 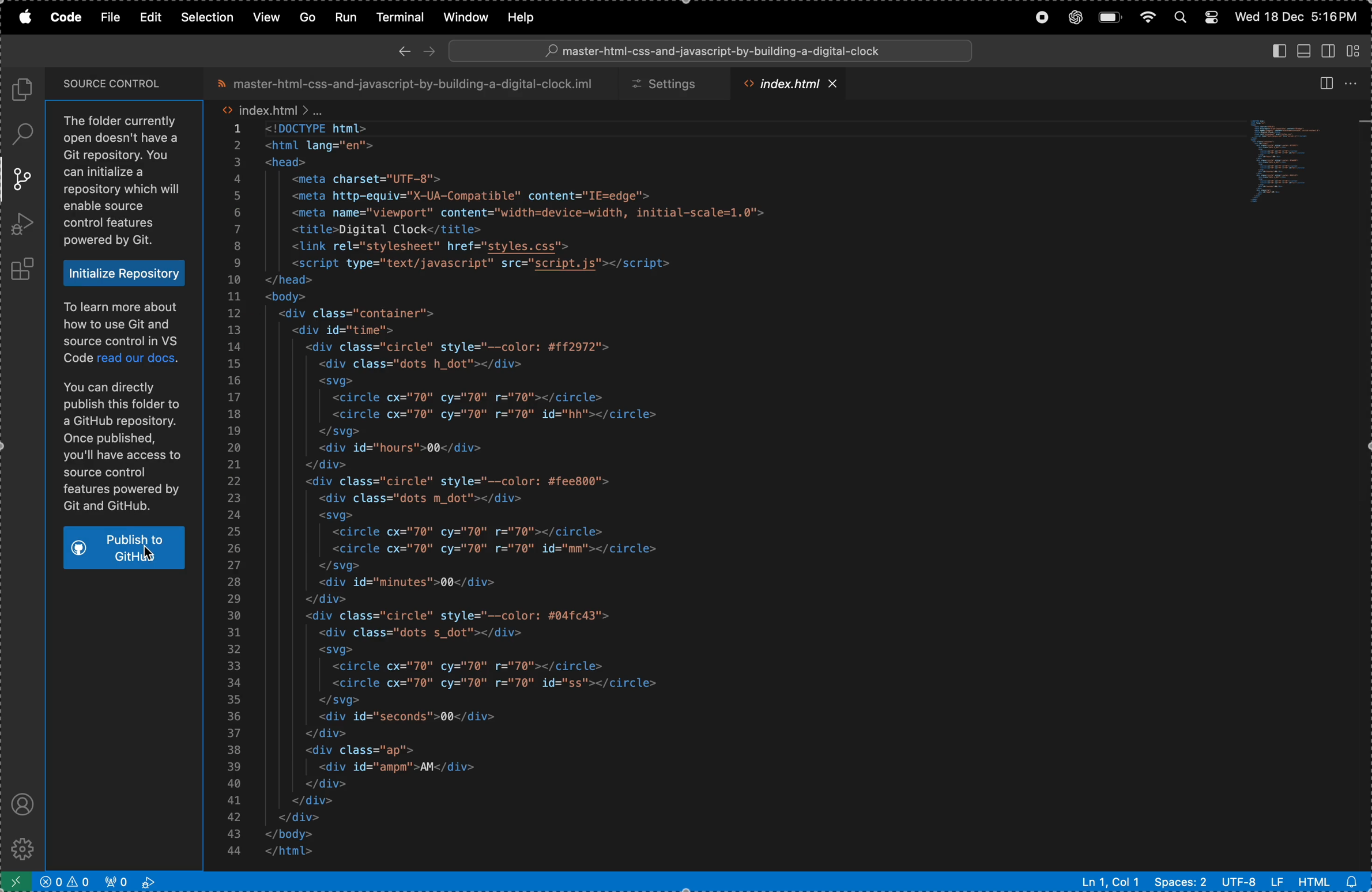 I want to click on <head>, so click(x=289, y=164).